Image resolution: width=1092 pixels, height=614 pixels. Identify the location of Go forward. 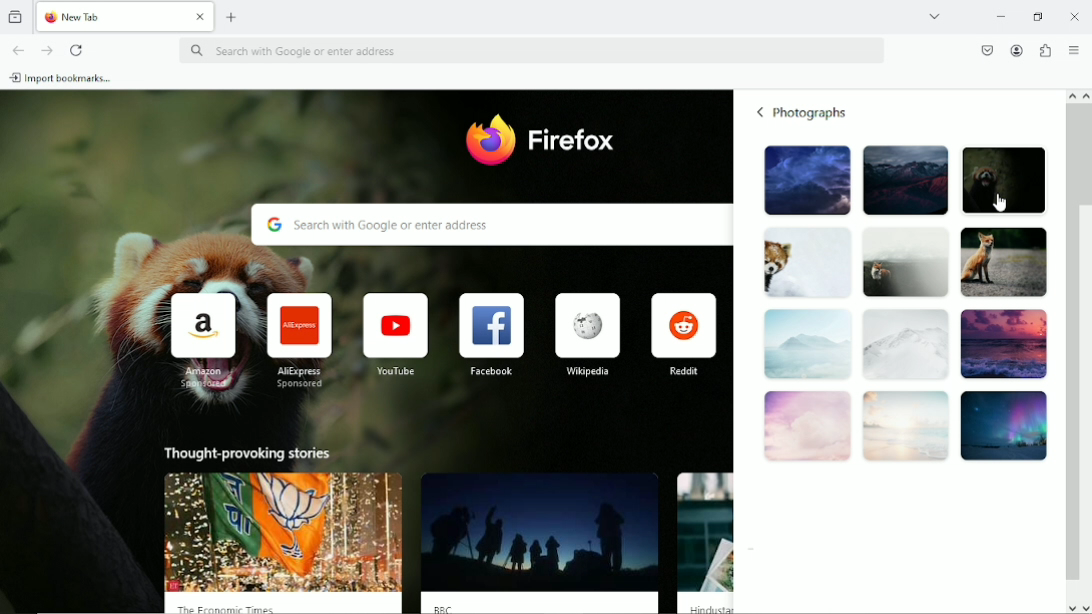
(46, 50).